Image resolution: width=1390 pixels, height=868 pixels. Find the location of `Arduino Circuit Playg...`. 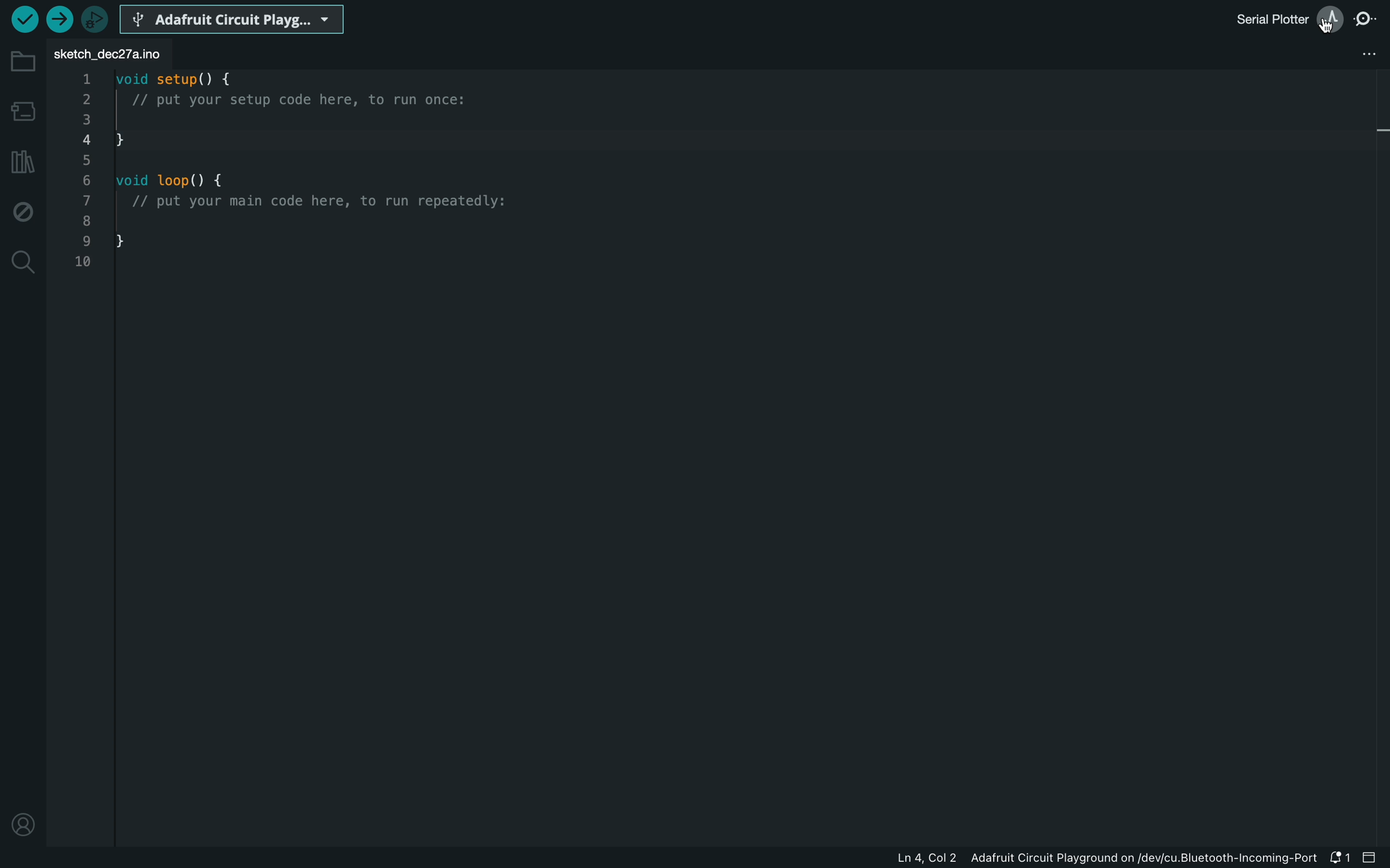

Arduino Circuit Playg... is located at coordinates (234, 19).